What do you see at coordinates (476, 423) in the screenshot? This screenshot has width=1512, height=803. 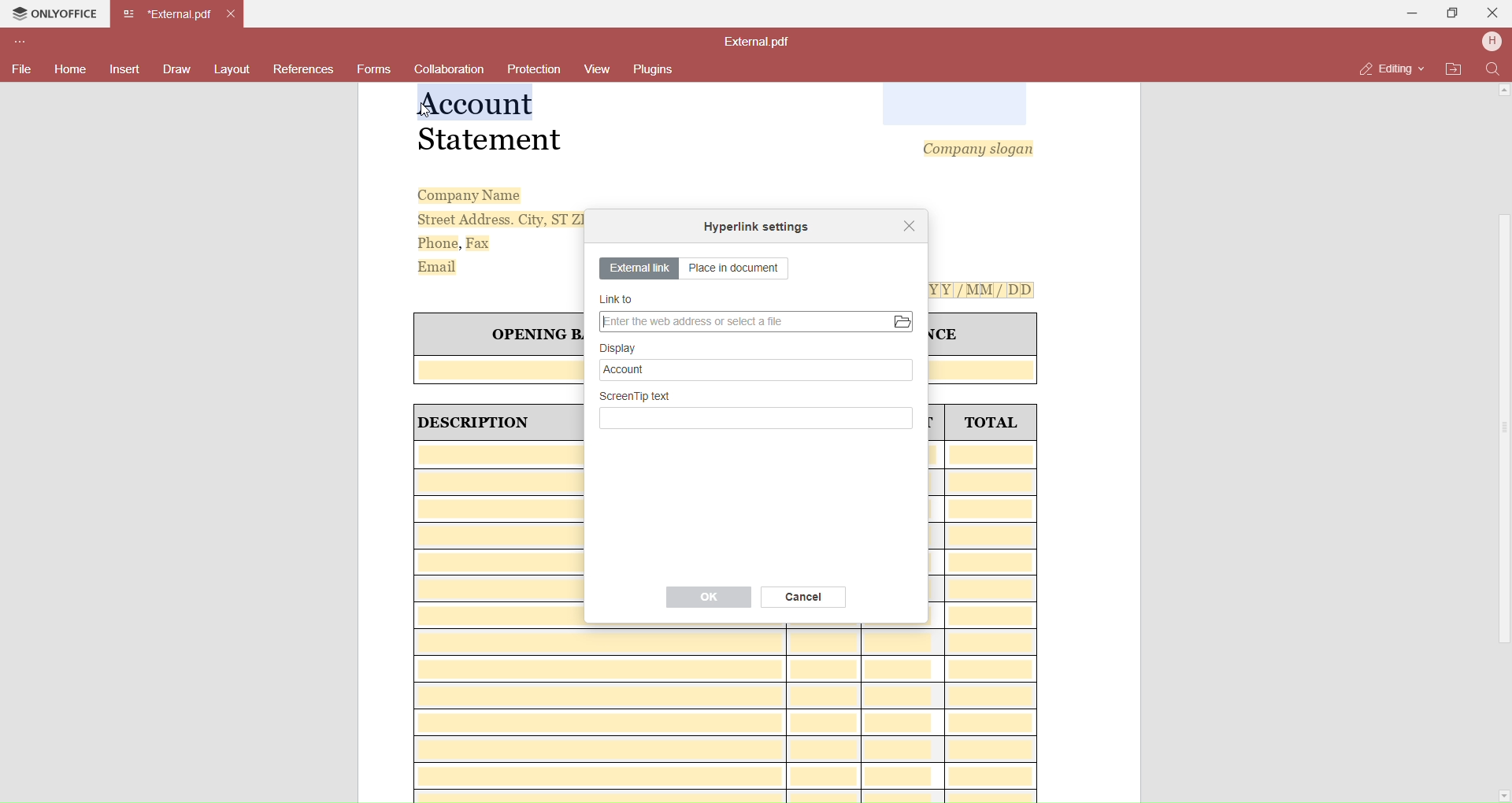 I see `| DESCRIPTION` at bounding box center [476, 423].